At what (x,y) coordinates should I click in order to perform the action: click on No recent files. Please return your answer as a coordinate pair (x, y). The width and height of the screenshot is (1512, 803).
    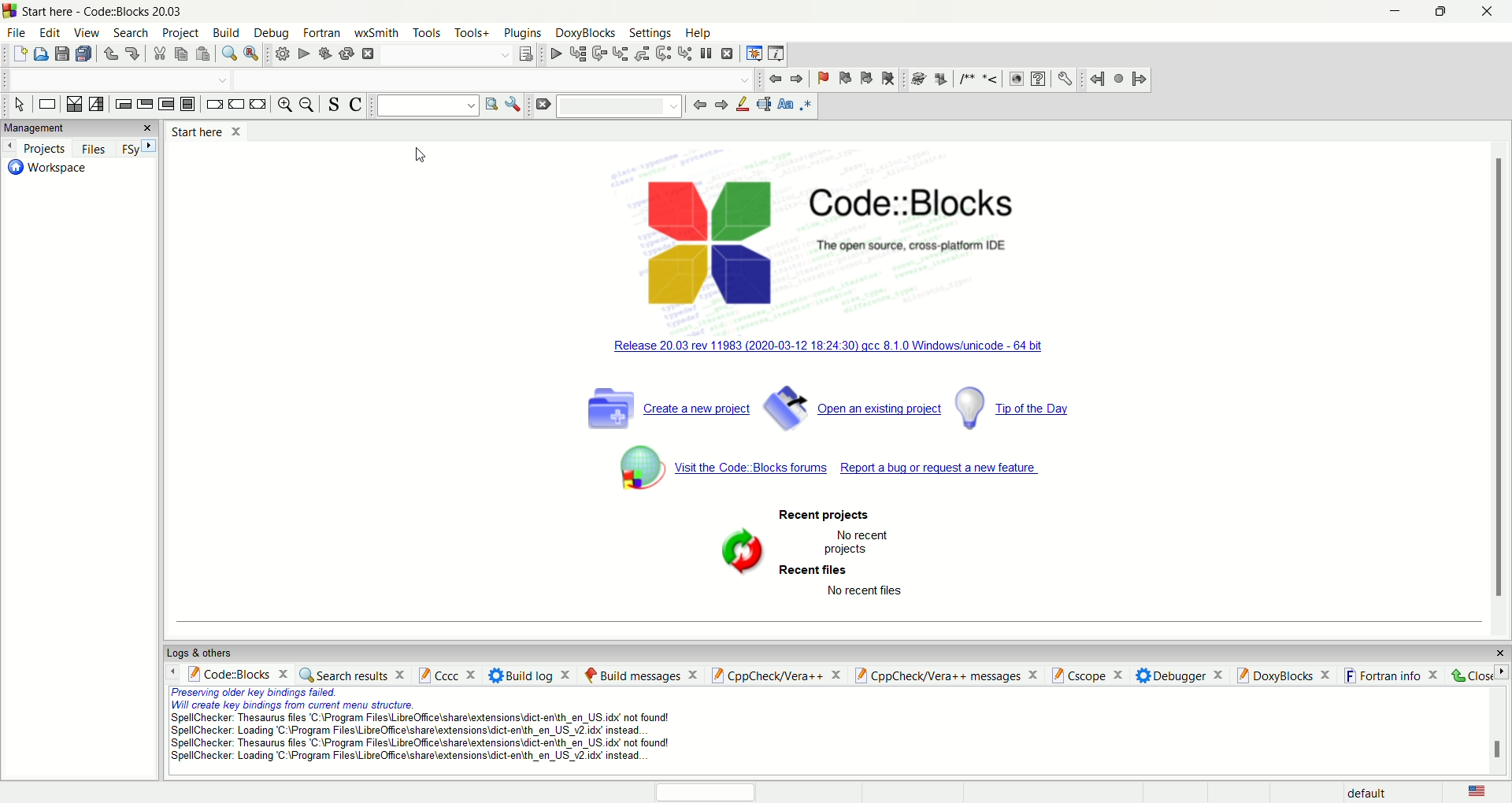
    Looking at the image, I should click on (865, 592).